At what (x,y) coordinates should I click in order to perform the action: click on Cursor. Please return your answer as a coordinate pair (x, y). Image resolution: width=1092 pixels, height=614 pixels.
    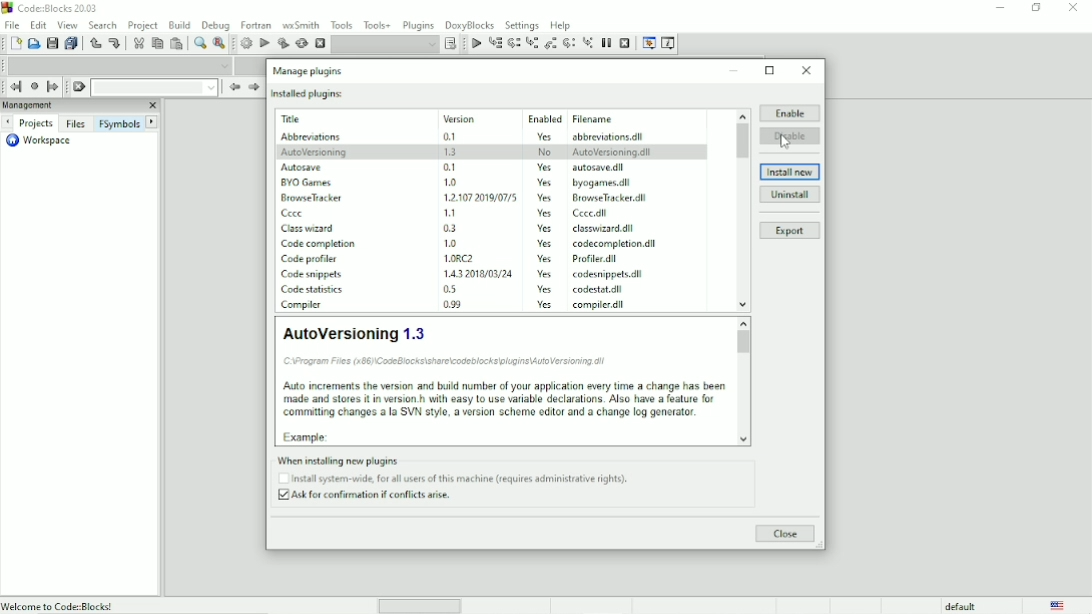
    Looking at the image, I should click on (786, 141).